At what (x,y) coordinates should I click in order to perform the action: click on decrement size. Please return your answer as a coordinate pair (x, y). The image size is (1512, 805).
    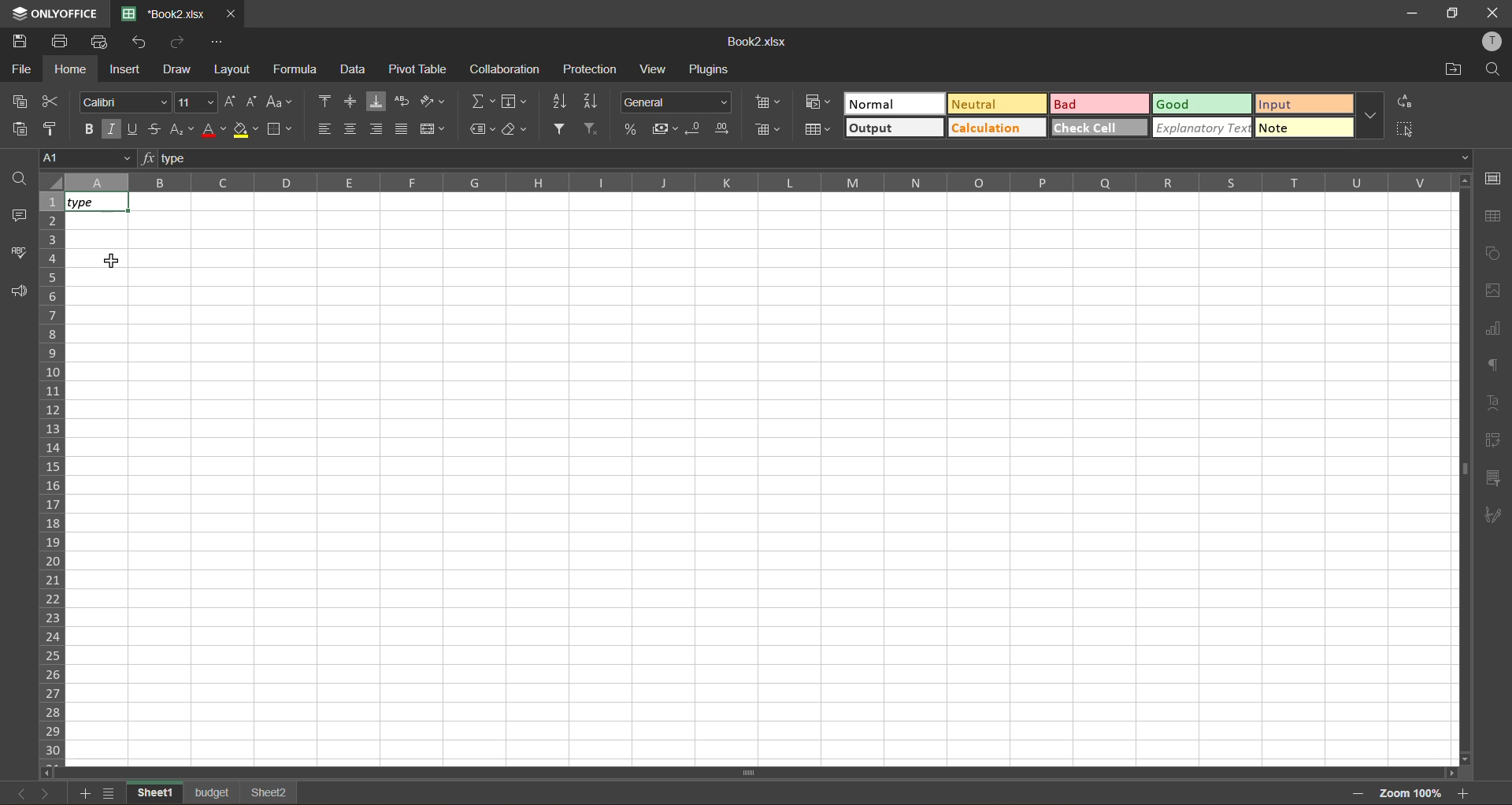
    Looking at the image, I should click on (253, 101).